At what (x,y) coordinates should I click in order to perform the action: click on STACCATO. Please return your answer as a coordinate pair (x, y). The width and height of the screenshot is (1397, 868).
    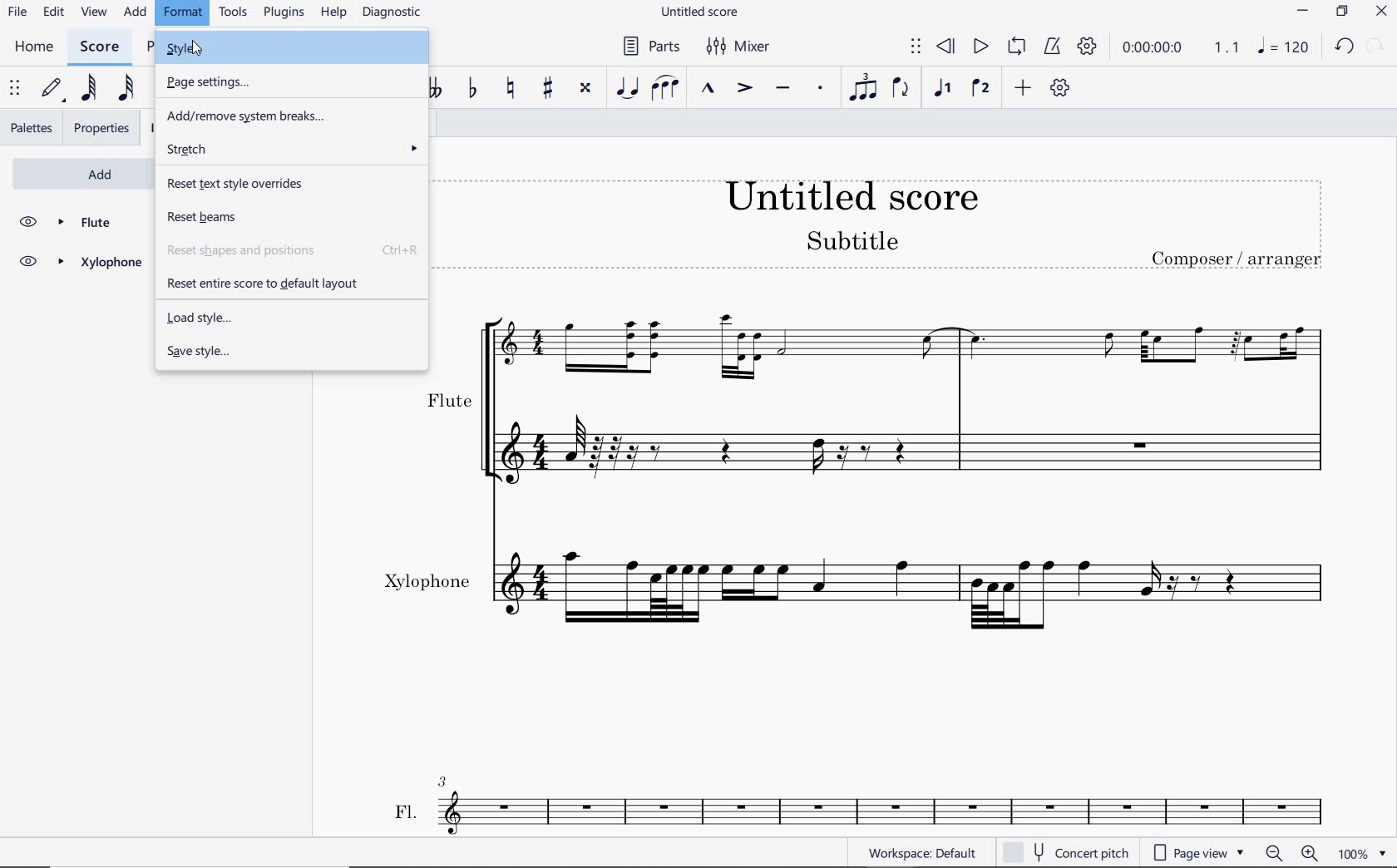
    Looking at the image, I should click on (820, 87).